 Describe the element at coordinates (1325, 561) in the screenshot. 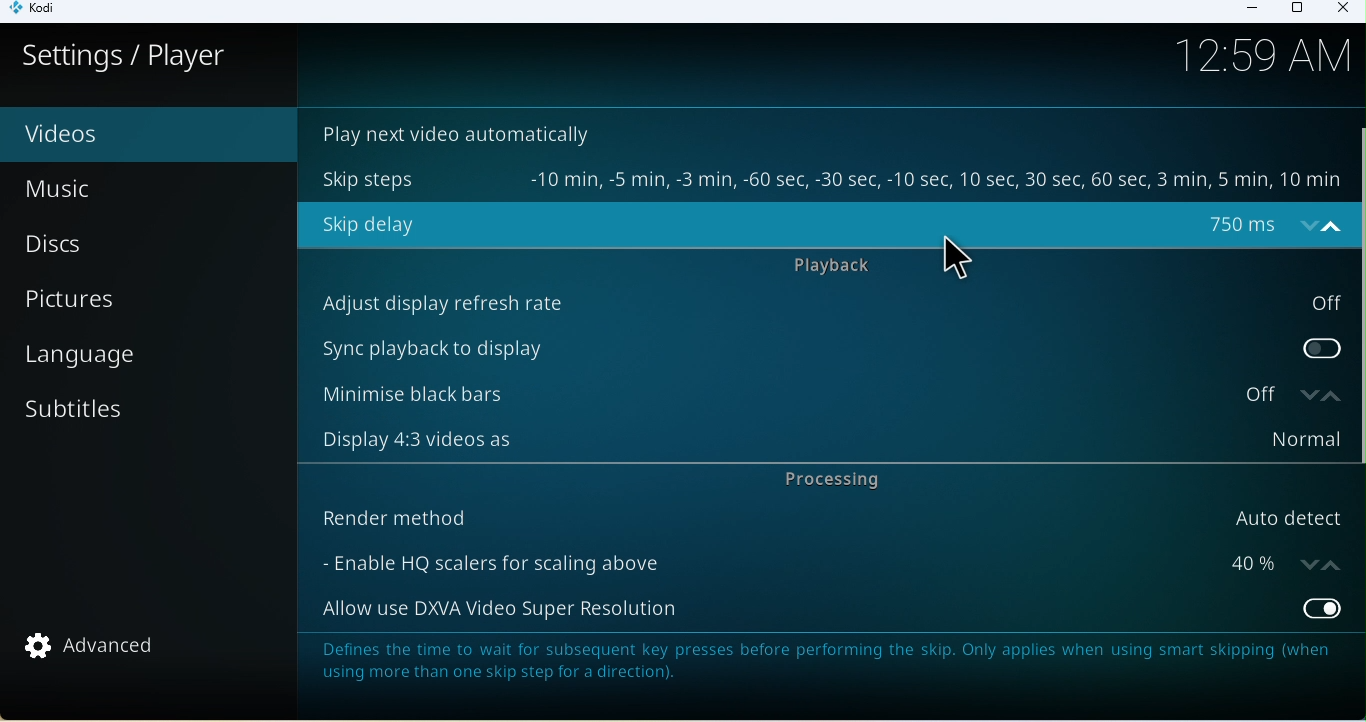

I see `increase/decrease` at that location.